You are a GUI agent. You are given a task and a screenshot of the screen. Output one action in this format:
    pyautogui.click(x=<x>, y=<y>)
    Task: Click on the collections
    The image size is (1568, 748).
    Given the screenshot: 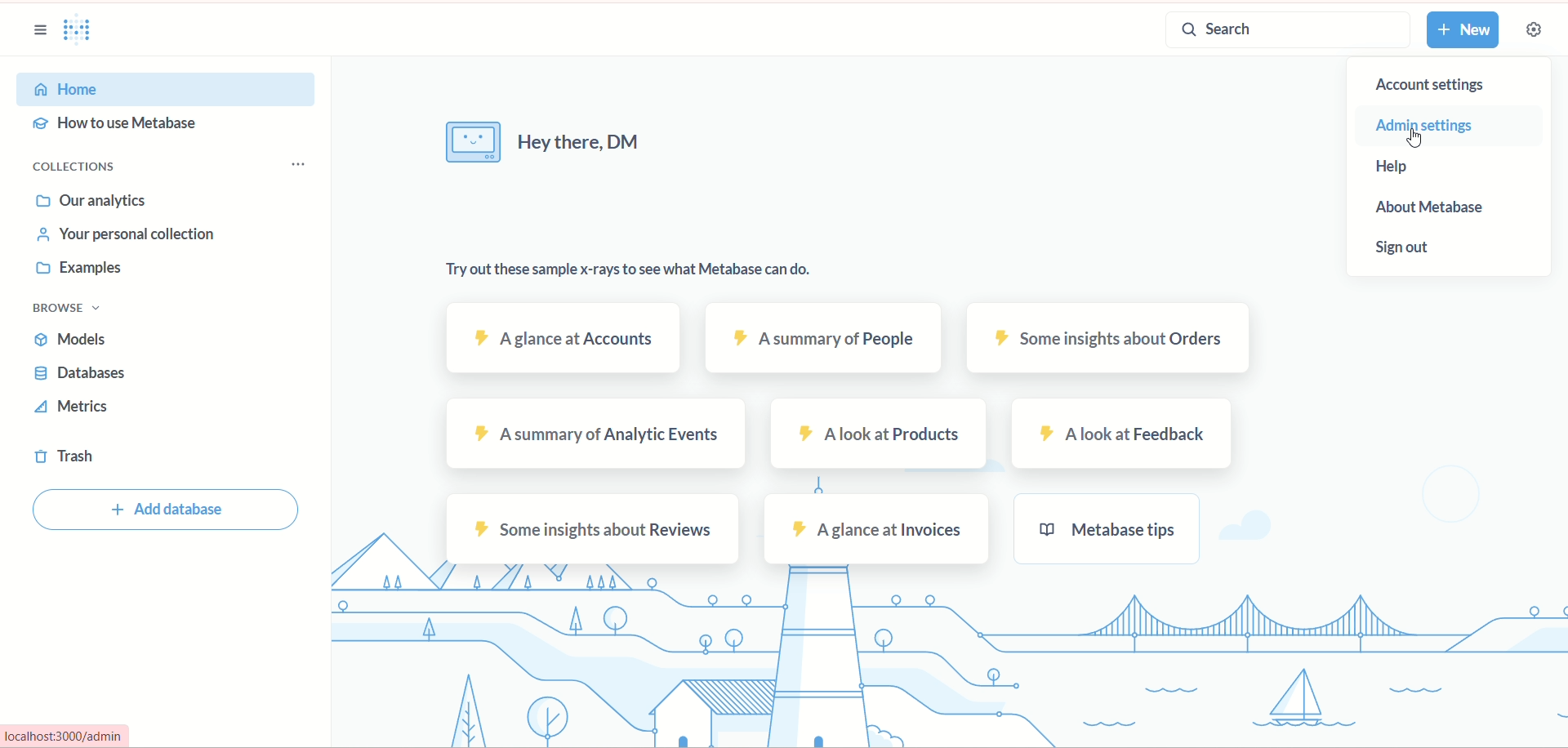 What is the action you would take?
    pyautogui.click(x=172, y=166)
    